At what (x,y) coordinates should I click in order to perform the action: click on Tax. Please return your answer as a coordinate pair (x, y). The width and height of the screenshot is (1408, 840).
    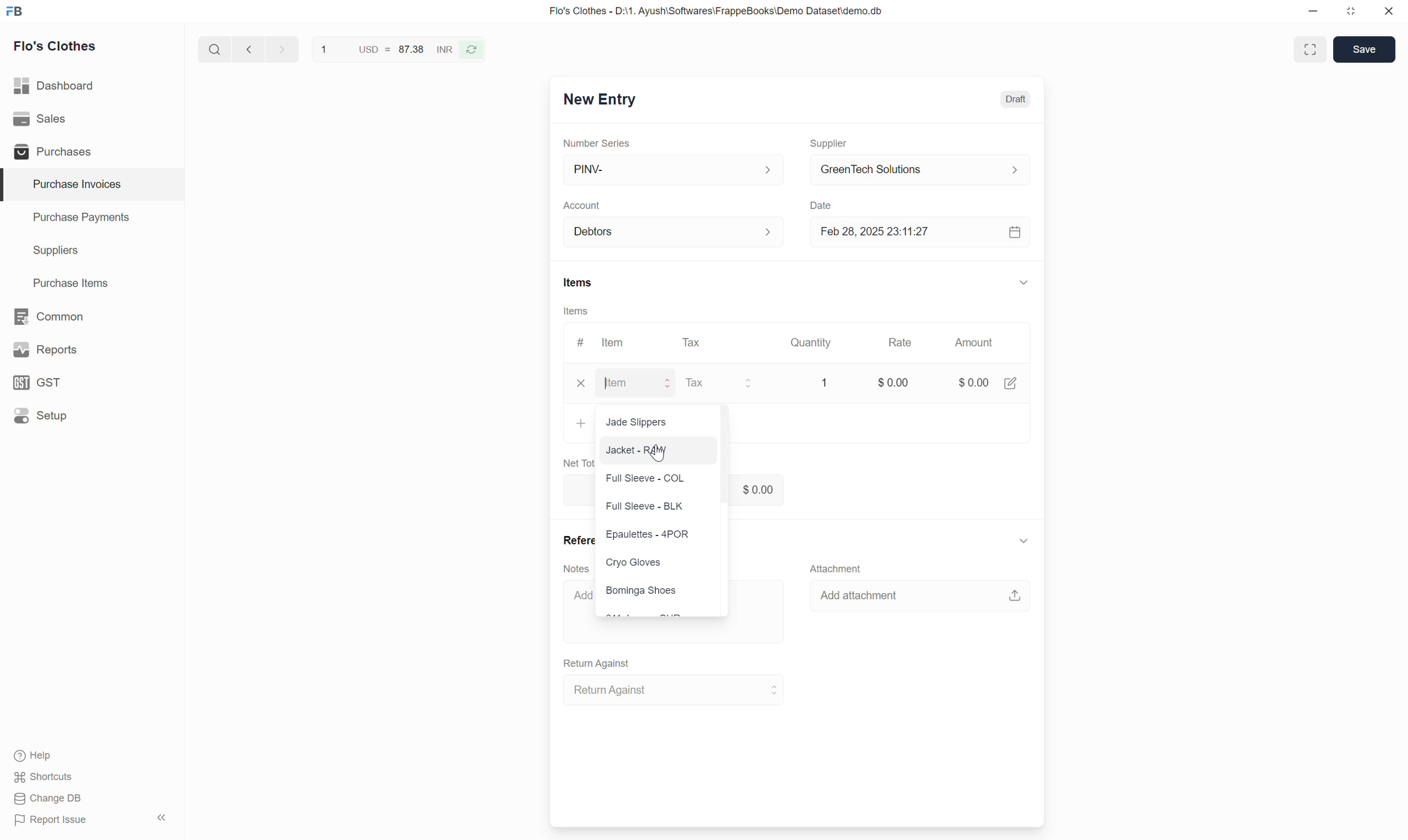
    Looking at the image, I should click on (694, 344).